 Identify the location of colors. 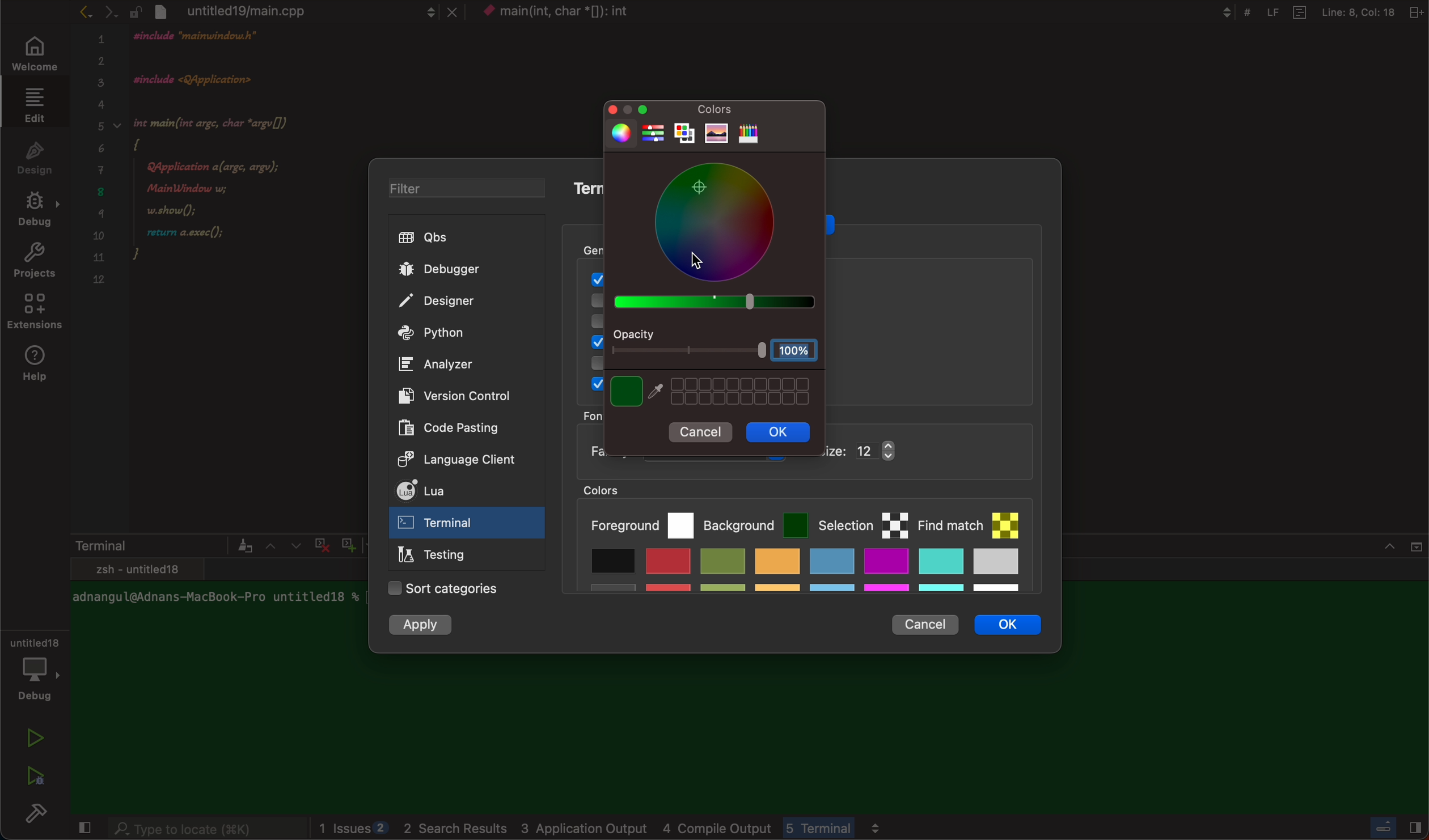
(712, 108).